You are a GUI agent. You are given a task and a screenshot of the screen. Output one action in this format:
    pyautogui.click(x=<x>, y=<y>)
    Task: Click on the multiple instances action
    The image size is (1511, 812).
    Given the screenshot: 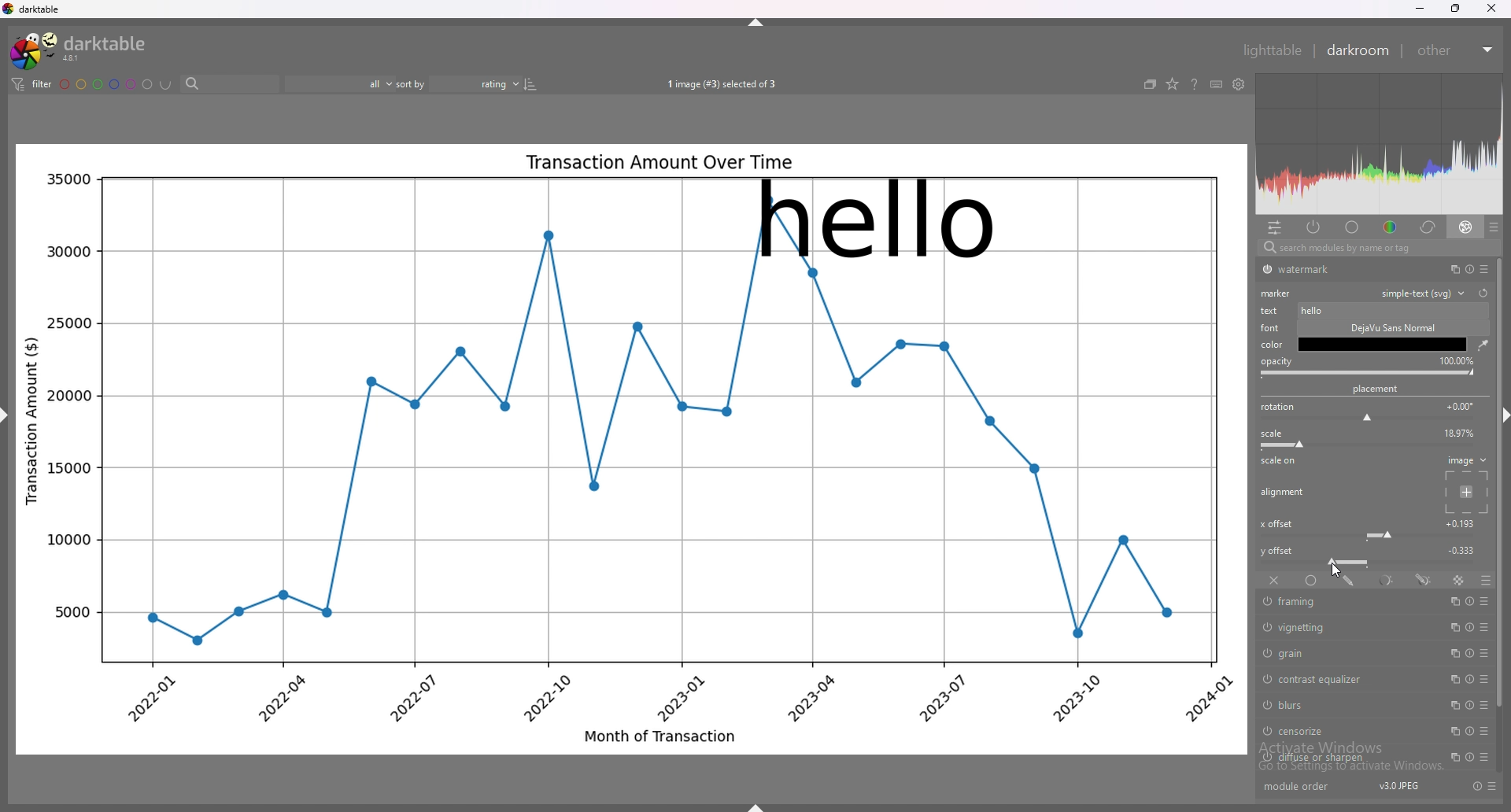 What is the action you would take?
    pyautogui.click(x=1453, y=680)
    